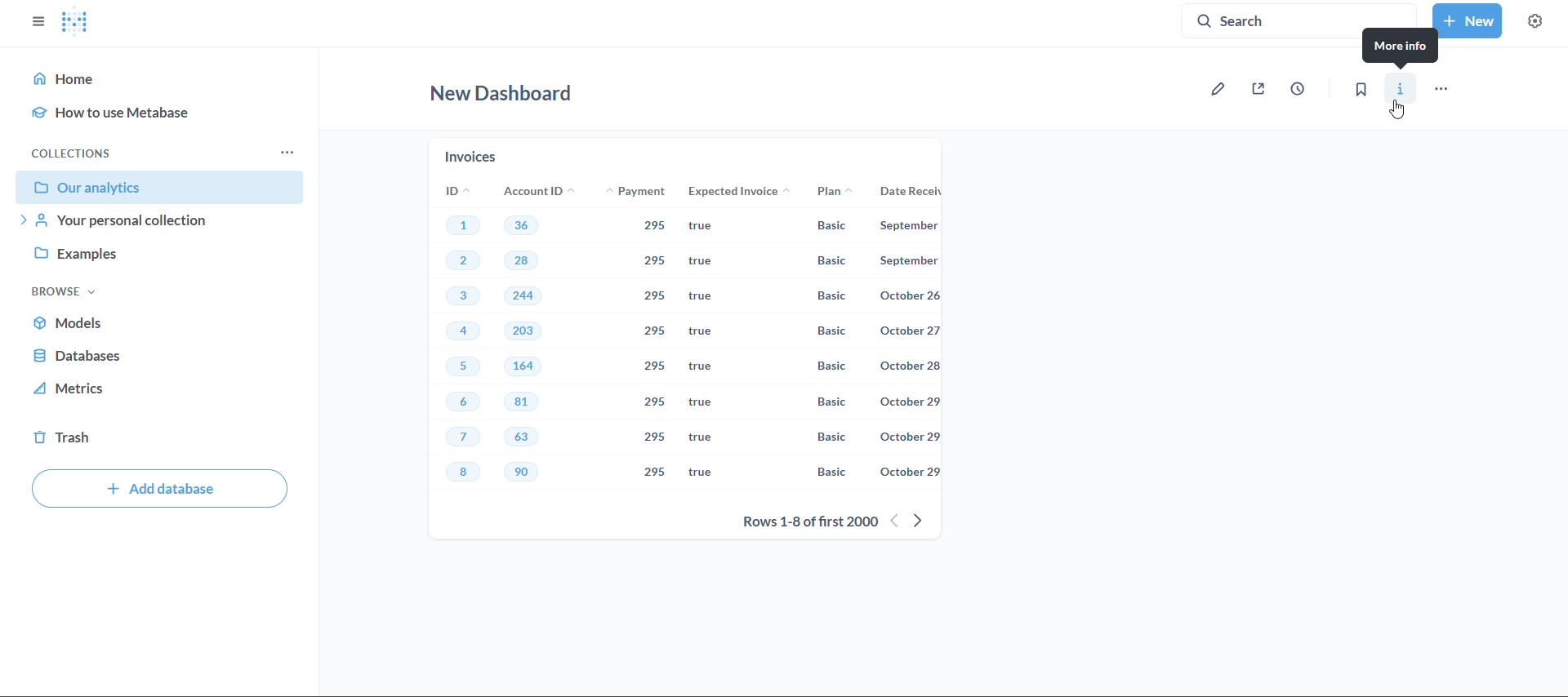 Image resolution: width=1568 pixels, height=697 pixels. What do you see at coordinates (700, 402) in the screenshot?
I see `true` at bounding box center [700, 402].